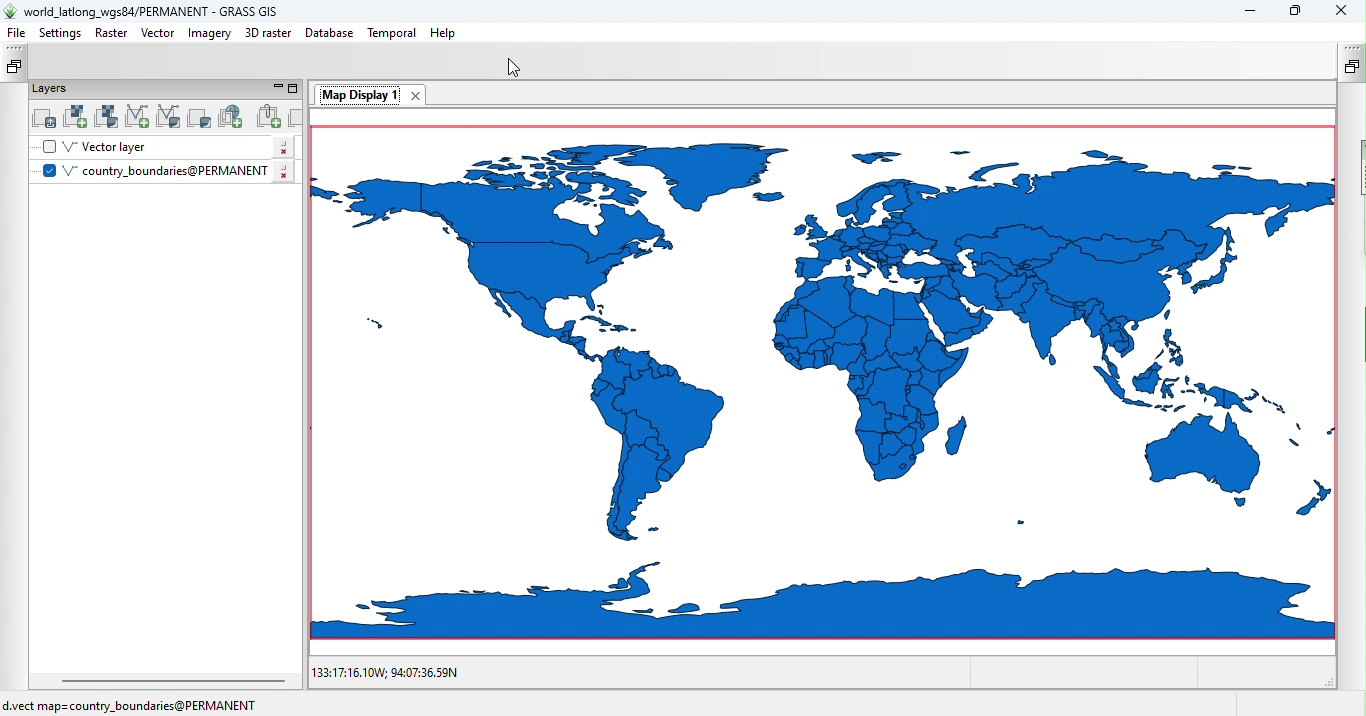 The width and height of the screenshot is (1366, 716). Describe the element at coordinates (1295, 12) in the screenshot. I see `Maximize` at that location.